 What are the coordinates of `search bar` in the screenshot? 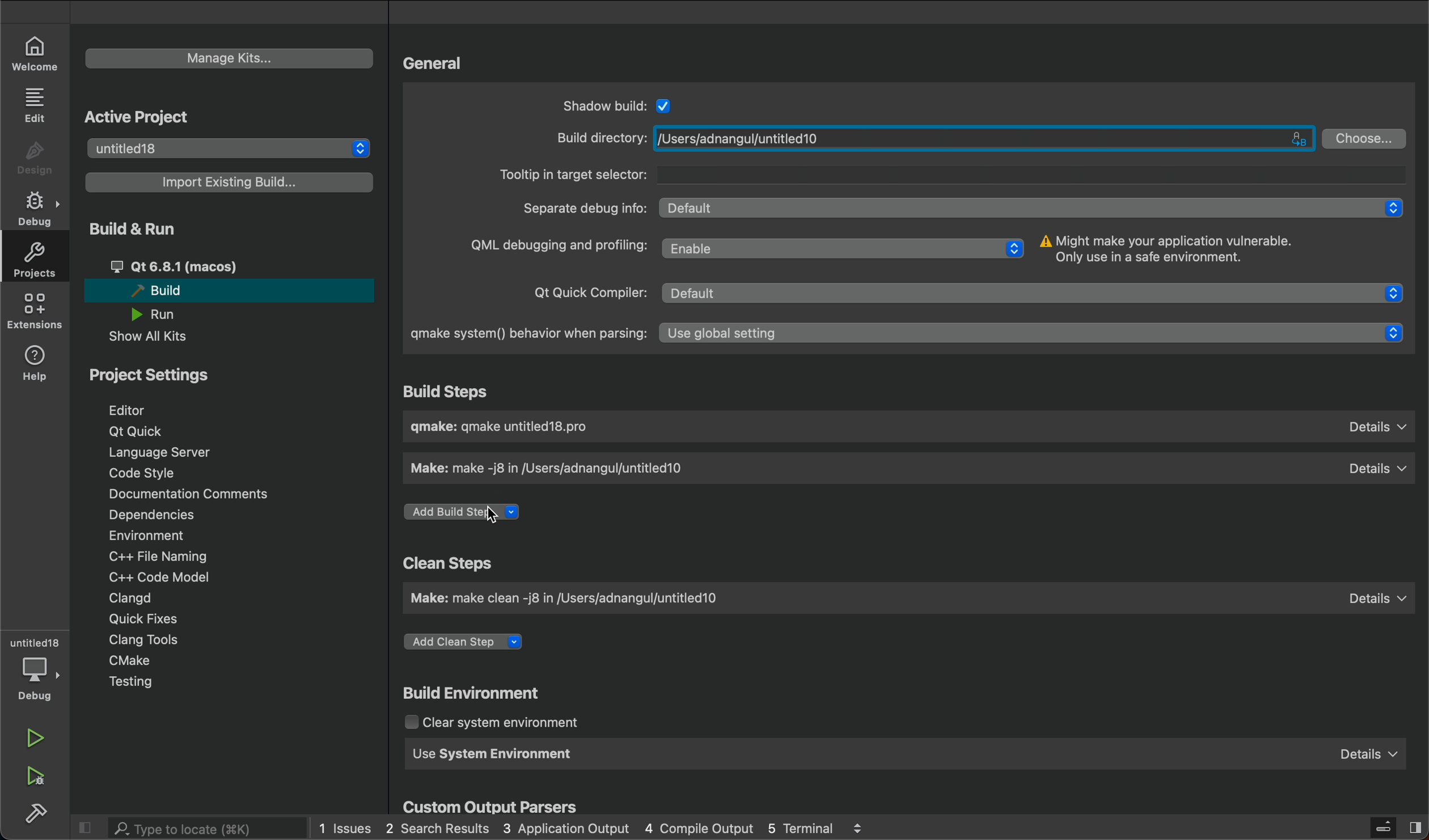 It's located at (197, 828).